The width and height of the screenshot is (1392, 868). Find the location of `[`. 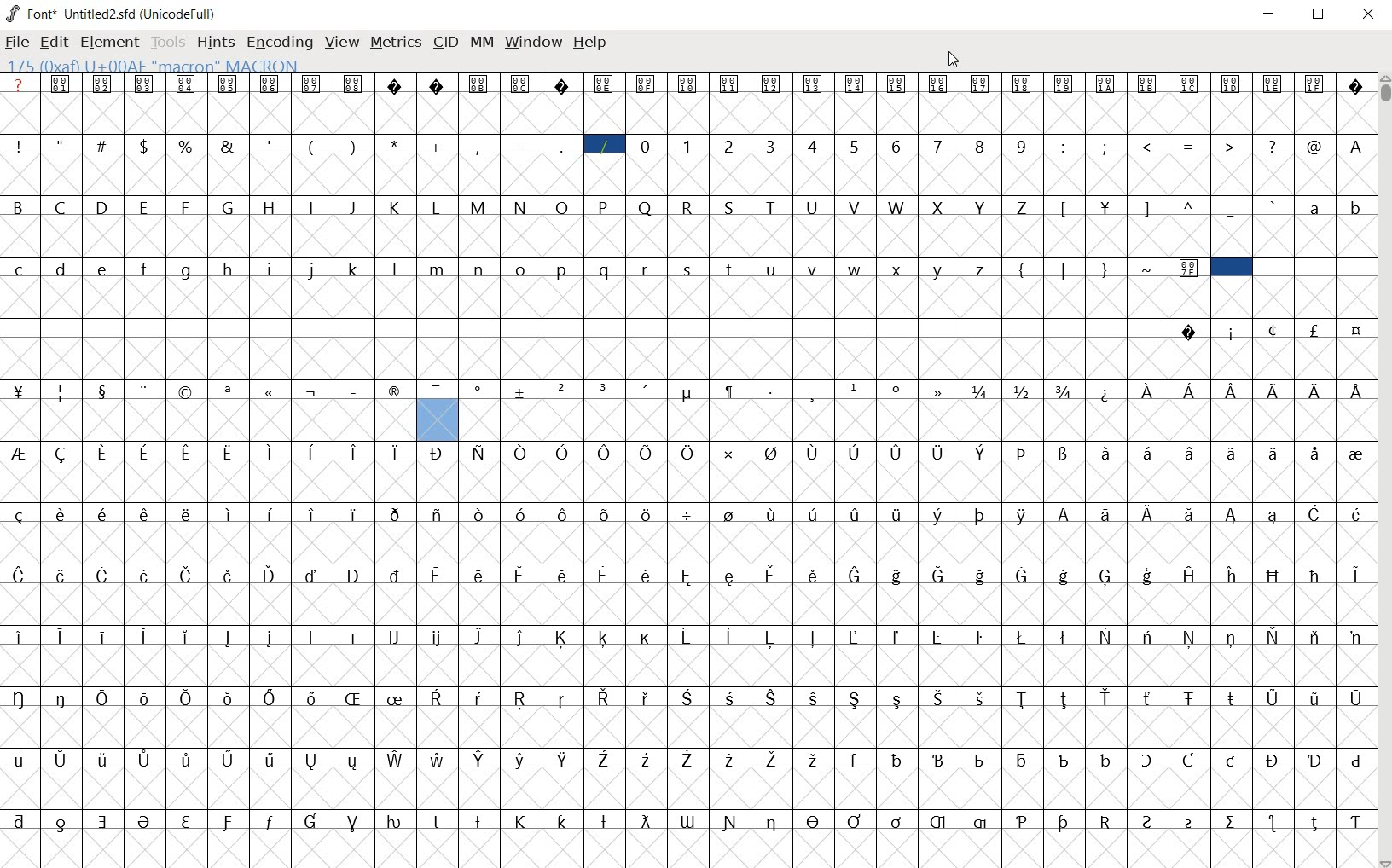

[ is located at coordinates (1064, 207).